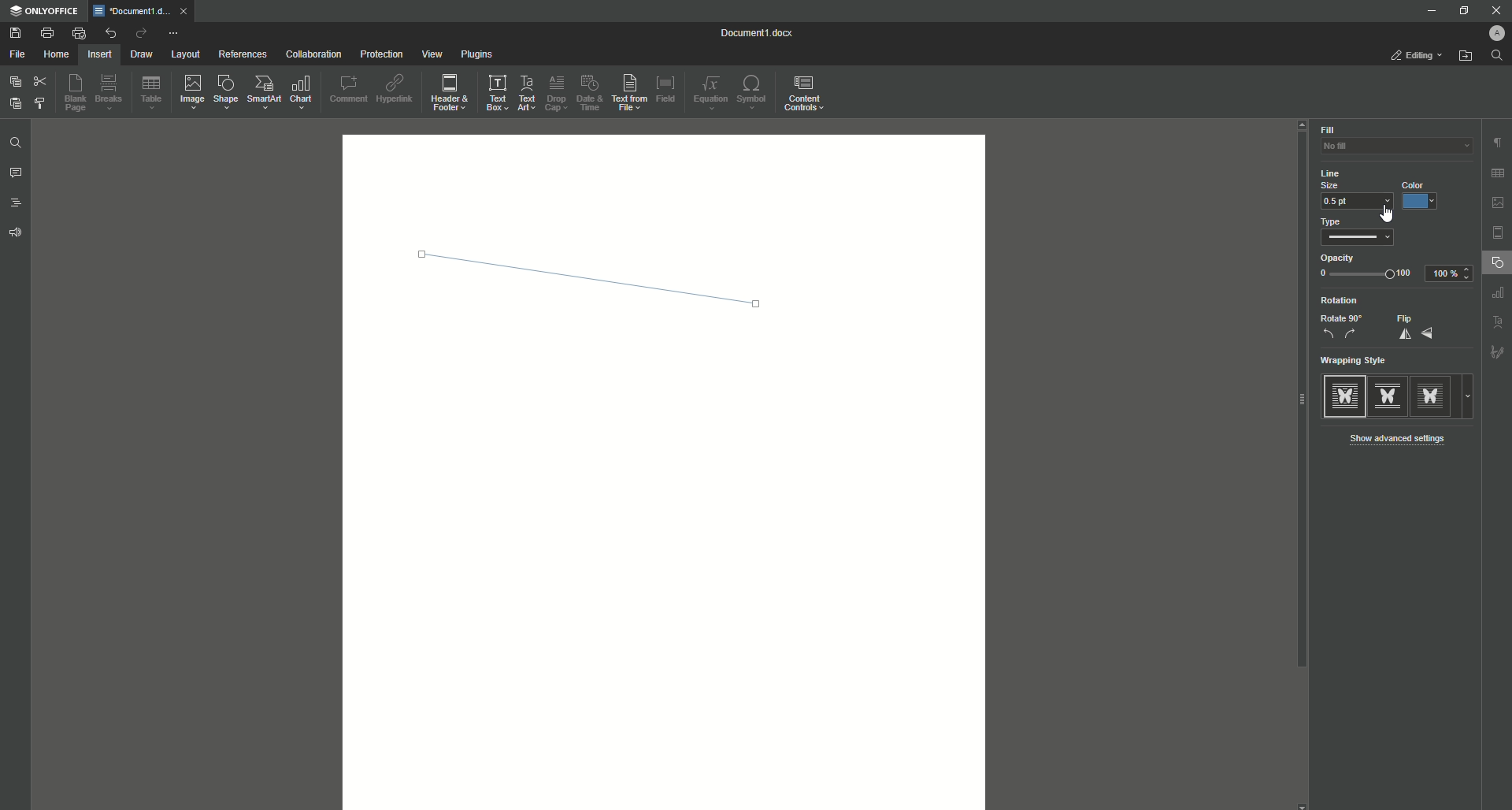 The height and width of the screenshot is (810, 1512). I want to click on Copy, so click(13, 82).